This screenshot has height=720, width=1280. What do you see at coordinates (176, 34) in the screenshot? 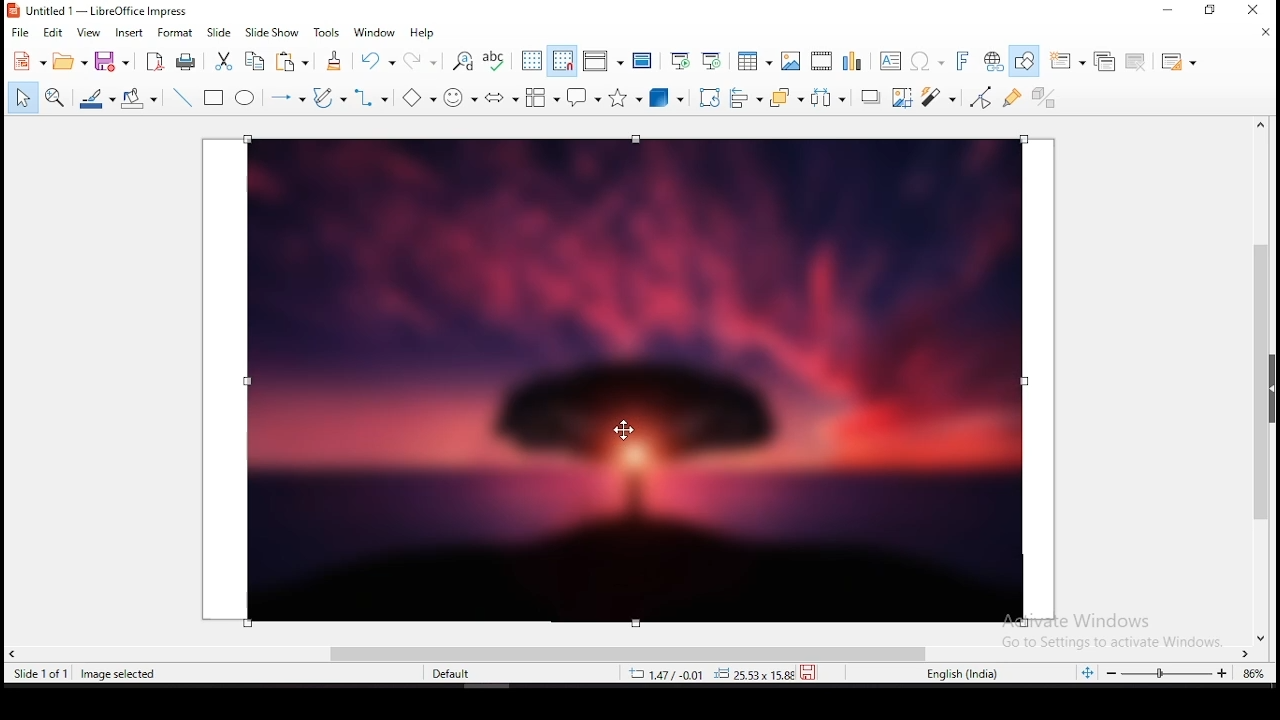
I see `format` at bounding box center [176, 34].